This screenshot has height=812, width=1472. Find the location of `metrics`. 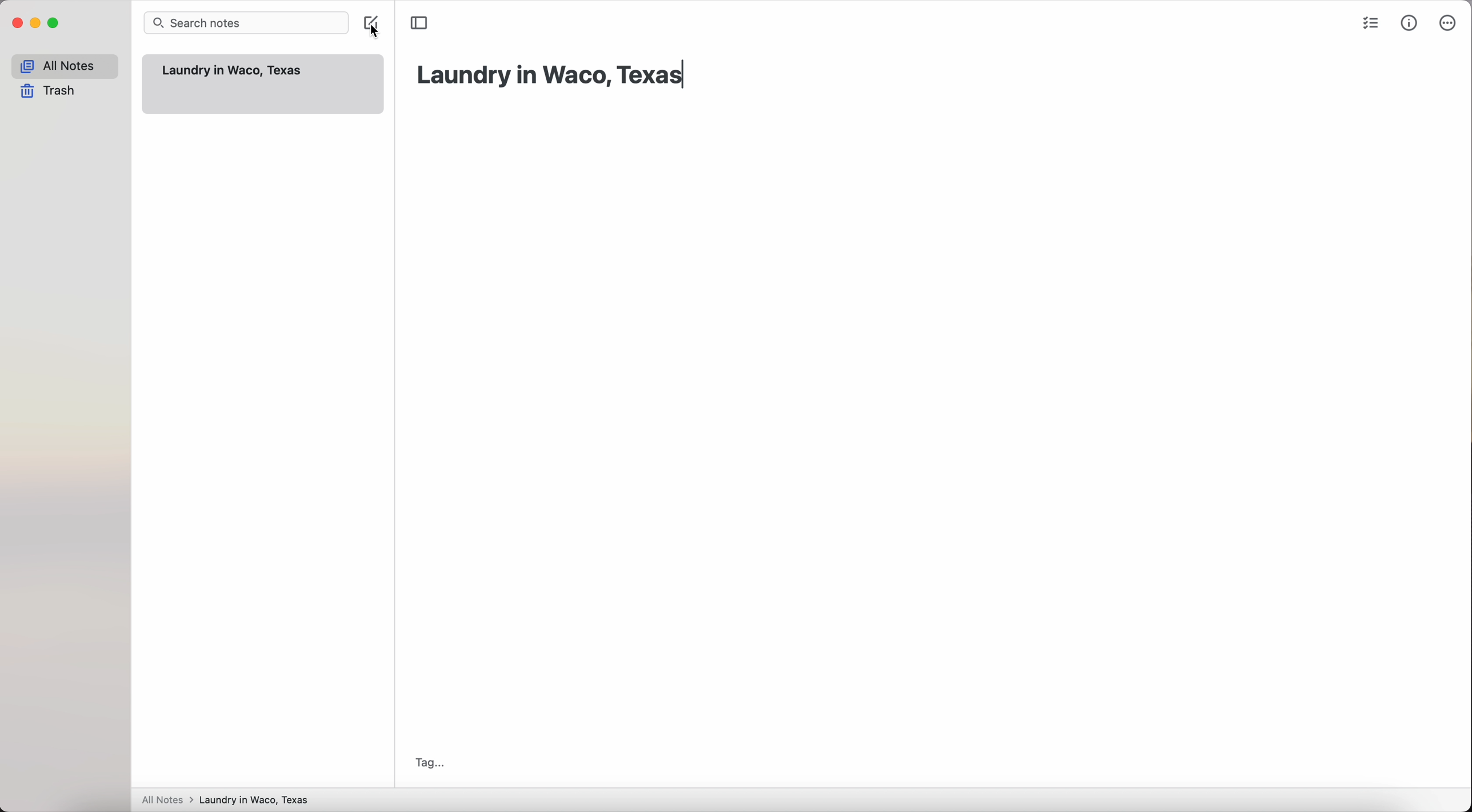

metrics is located at coordinates (1410, 22).